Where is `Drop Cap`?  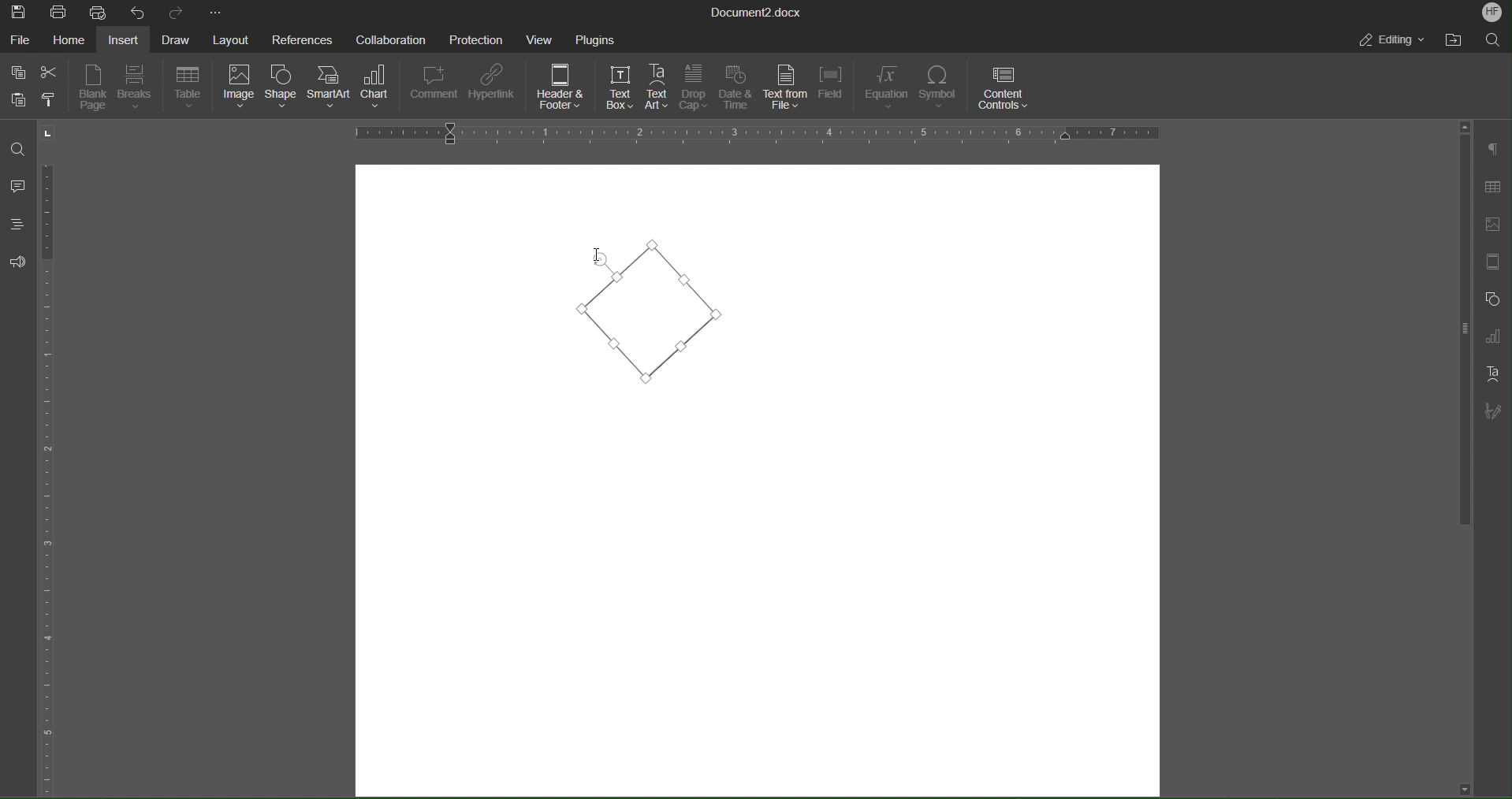 Drop Cap is located at coordinates (694, 88).